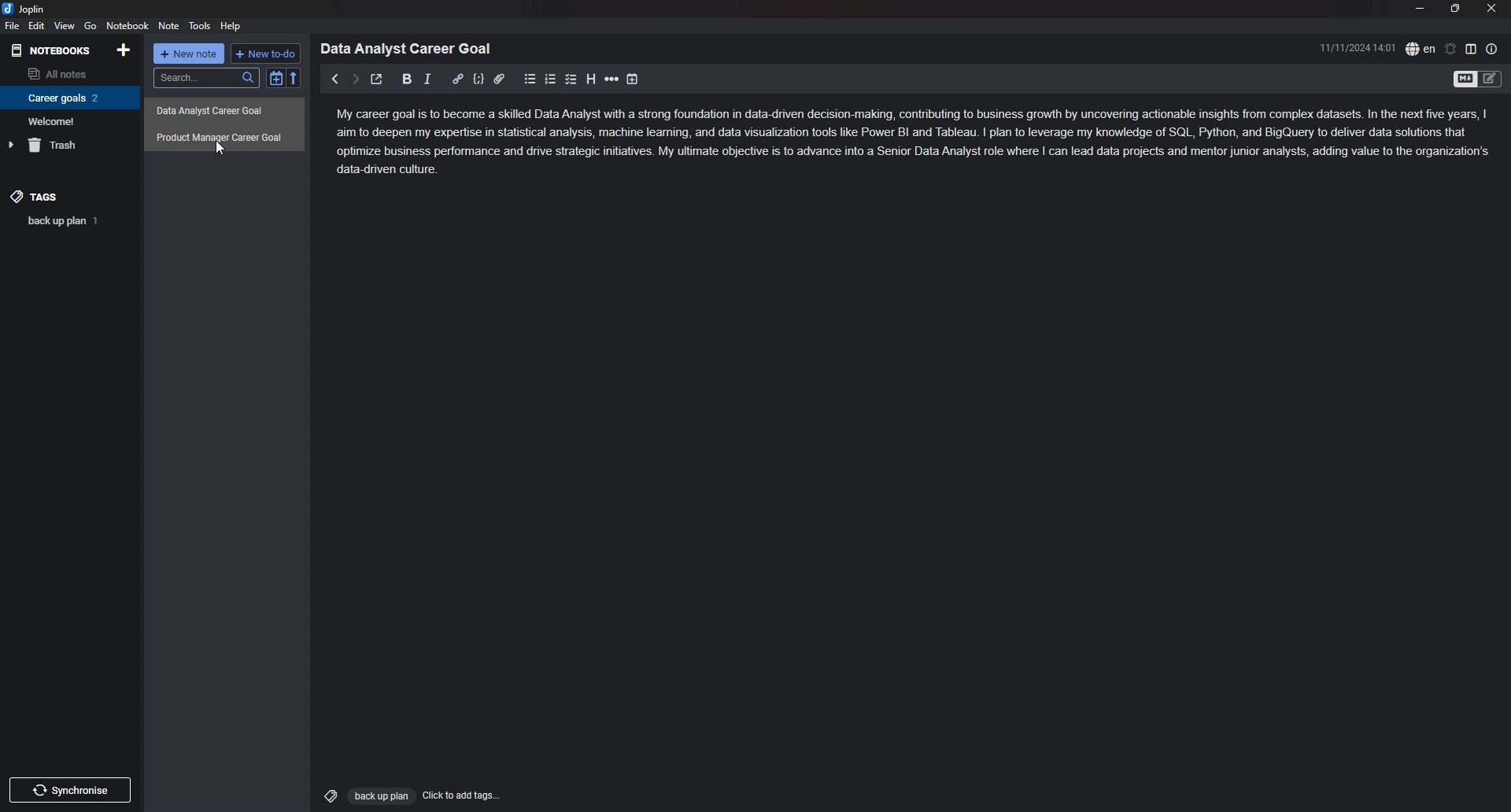  I want to click on toggle editor, so click(1464, 80).